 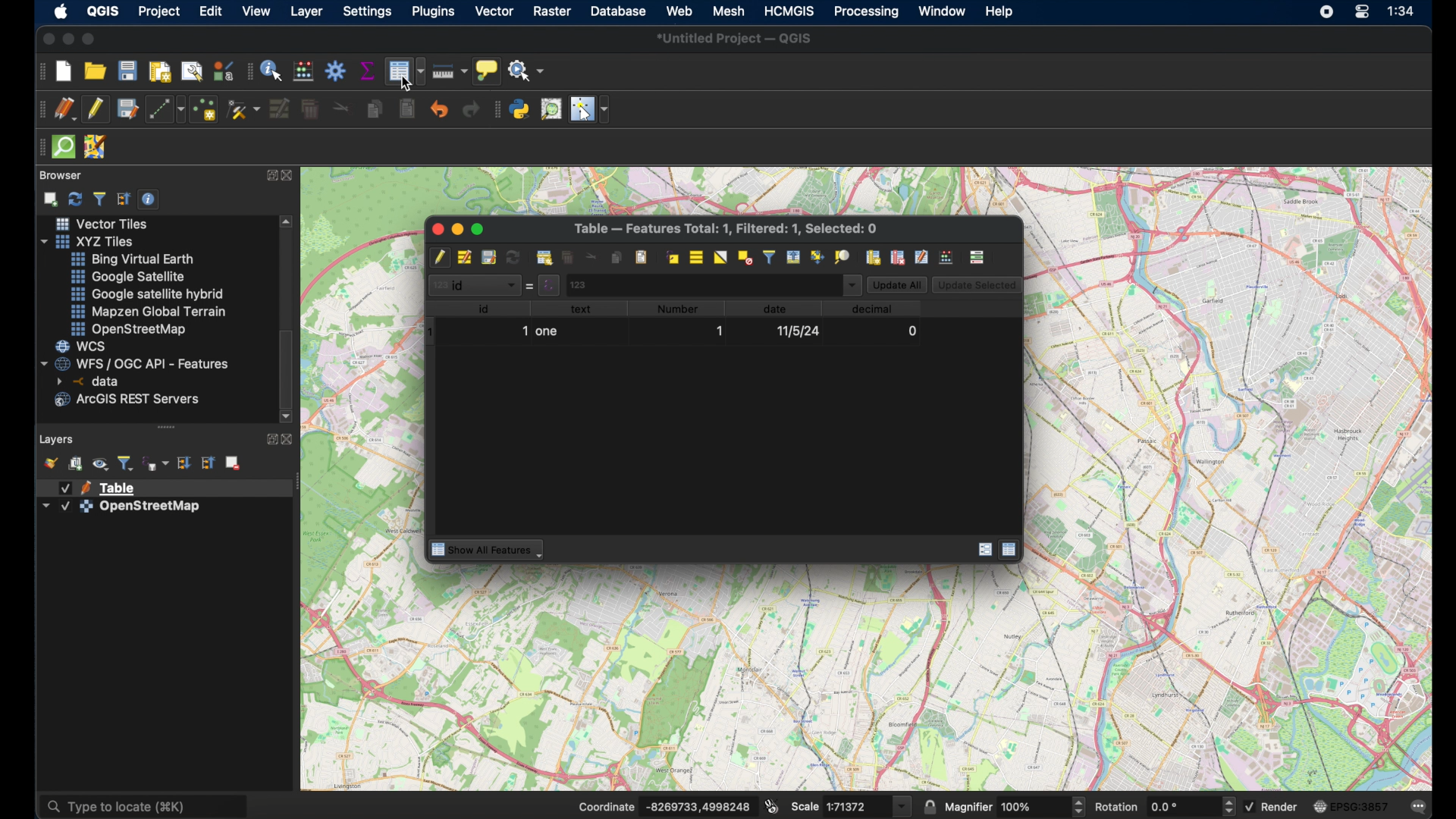 What do you see at coordinates (1231, 805) in the screenshot?
I see `increase or decrease rotation value` at bounding box center [1231, 805].